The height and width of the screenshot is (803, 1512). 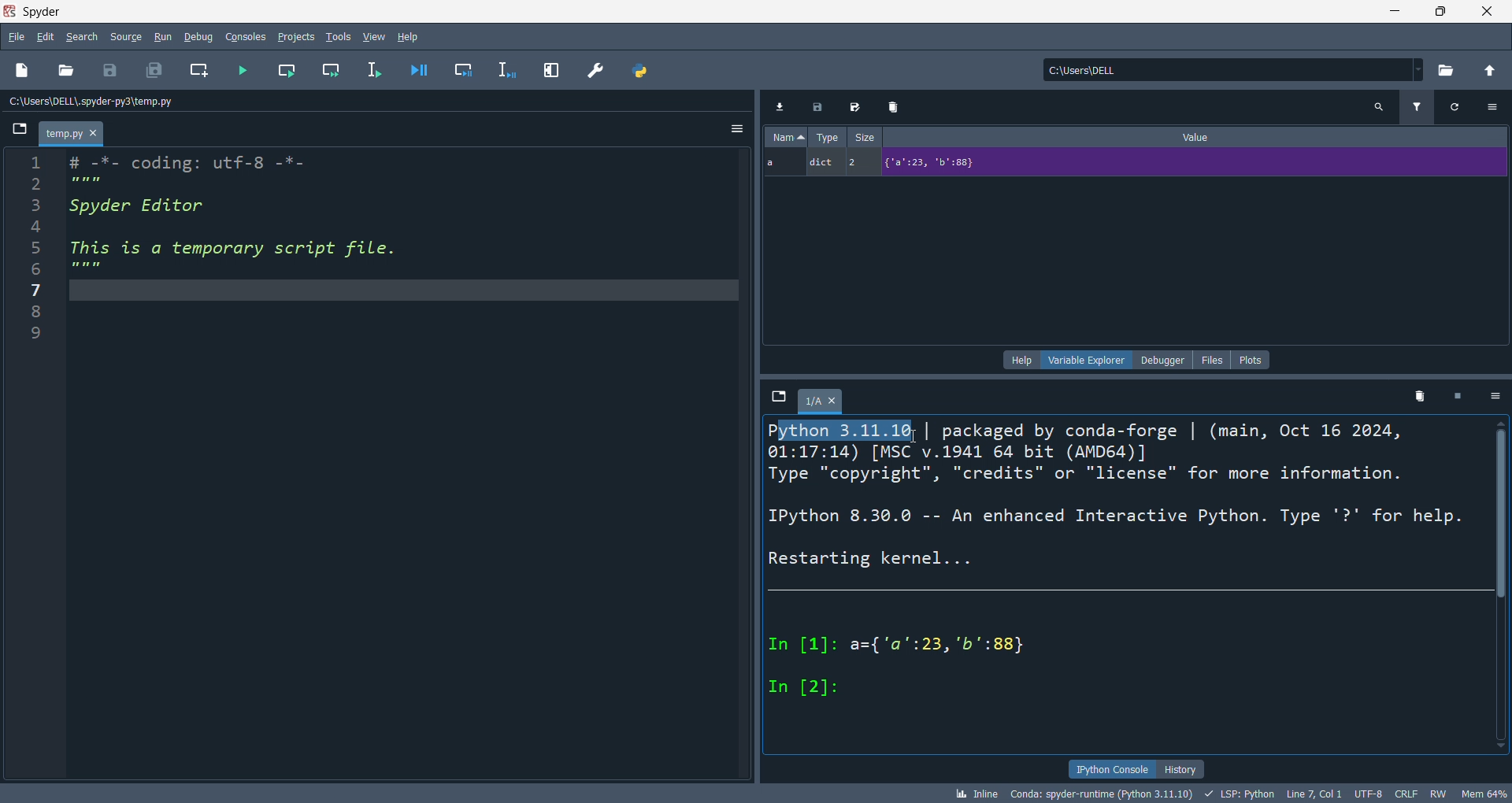 What do you see at coordinates (154, 68) in the screenshot?
I see `save all` at bounding box center [154, 68].